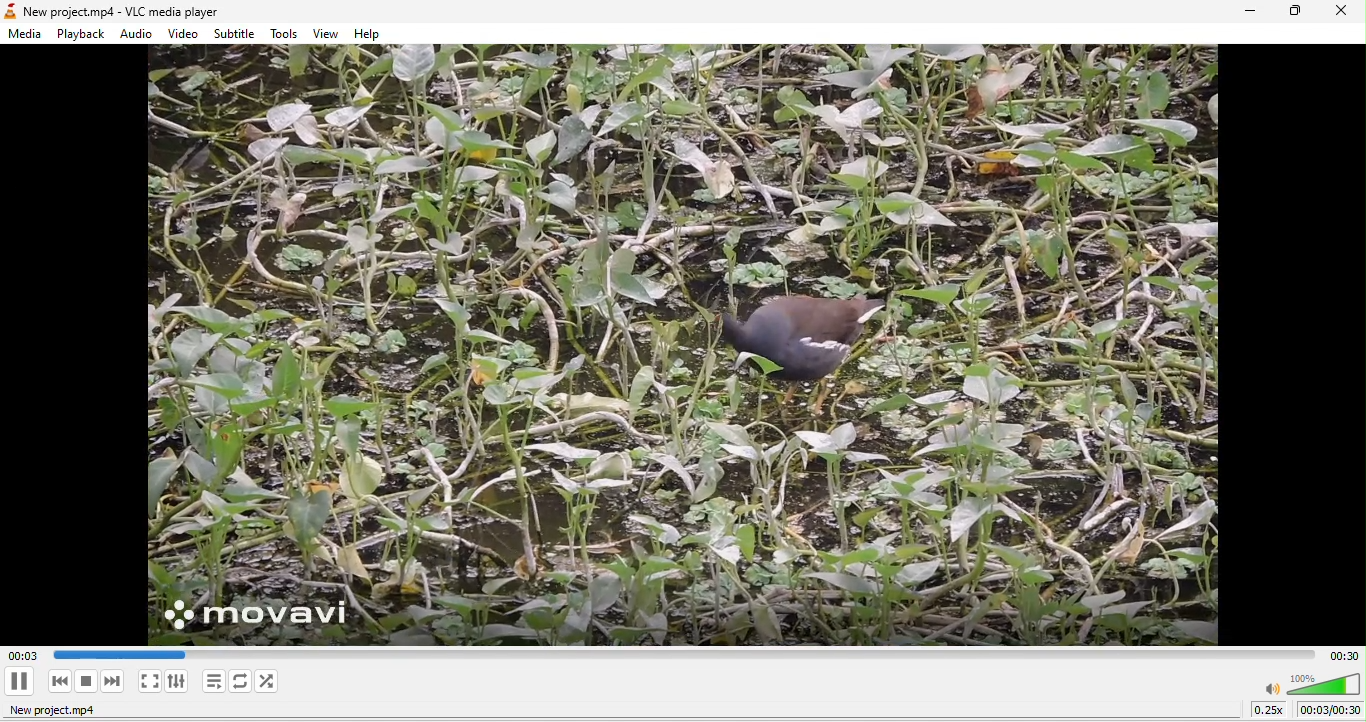 Image resolution: width=1366 pixels, height=722 pixels. What do you see at coordinates (1290, 14) in the screenshot?
I see `maximize` at bounding box center [1290, 14].